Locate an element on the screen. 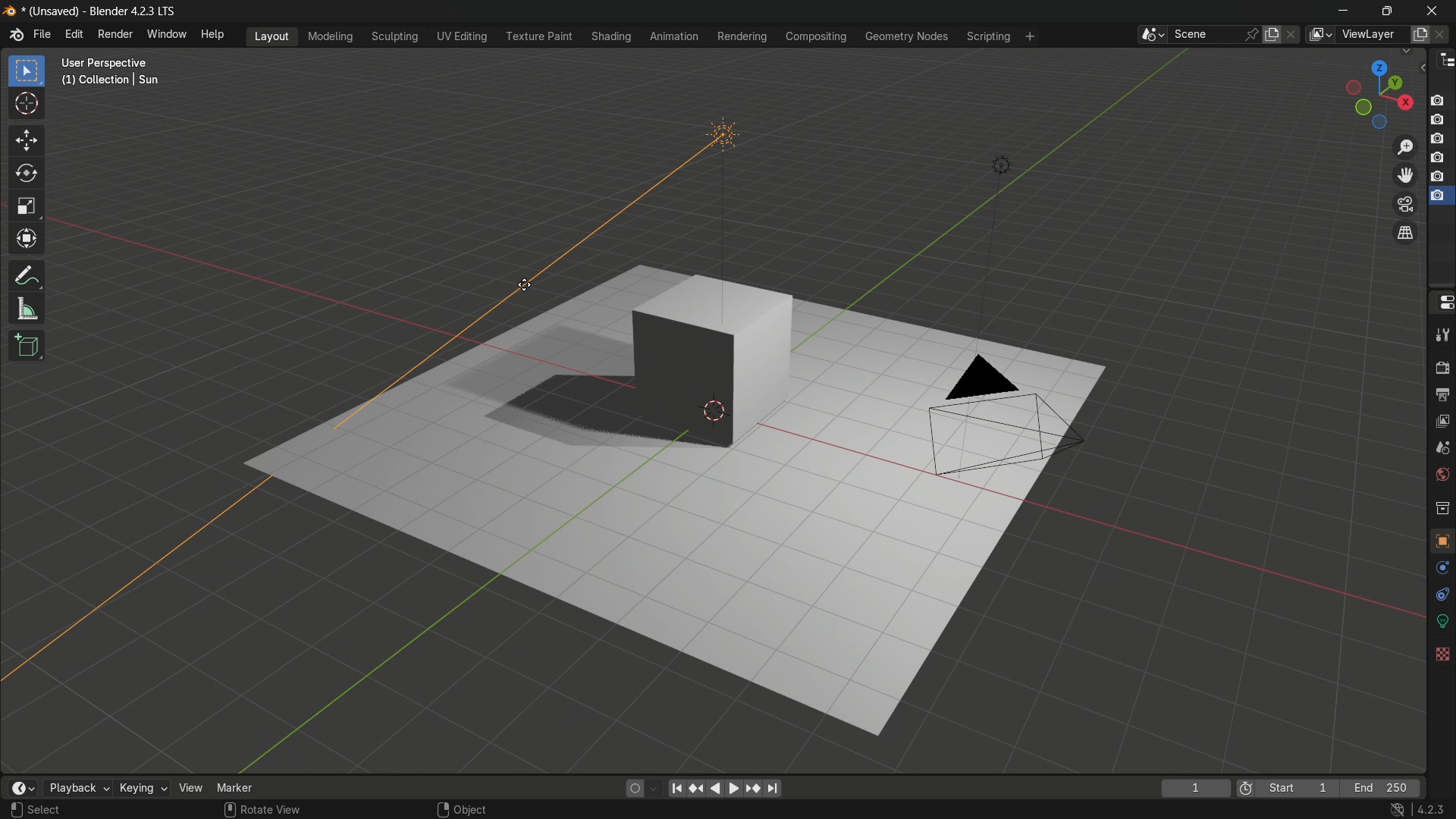 This screenshot has width=1456, height=819. switch current view is located at coordinates (1407, 233).